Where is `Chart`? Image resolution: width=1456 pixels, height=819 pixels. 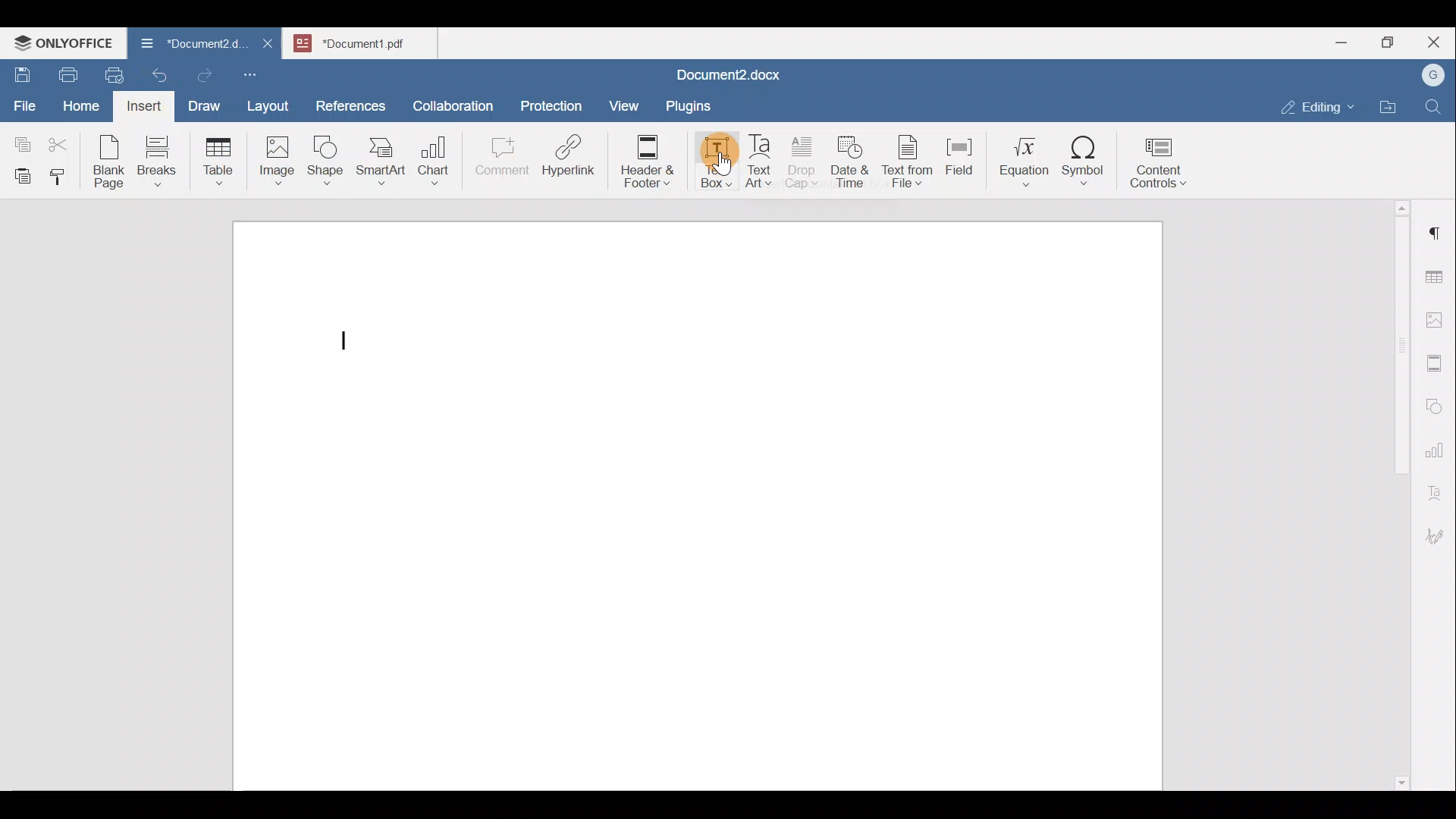
Chart is located at coordinates (431, 162).